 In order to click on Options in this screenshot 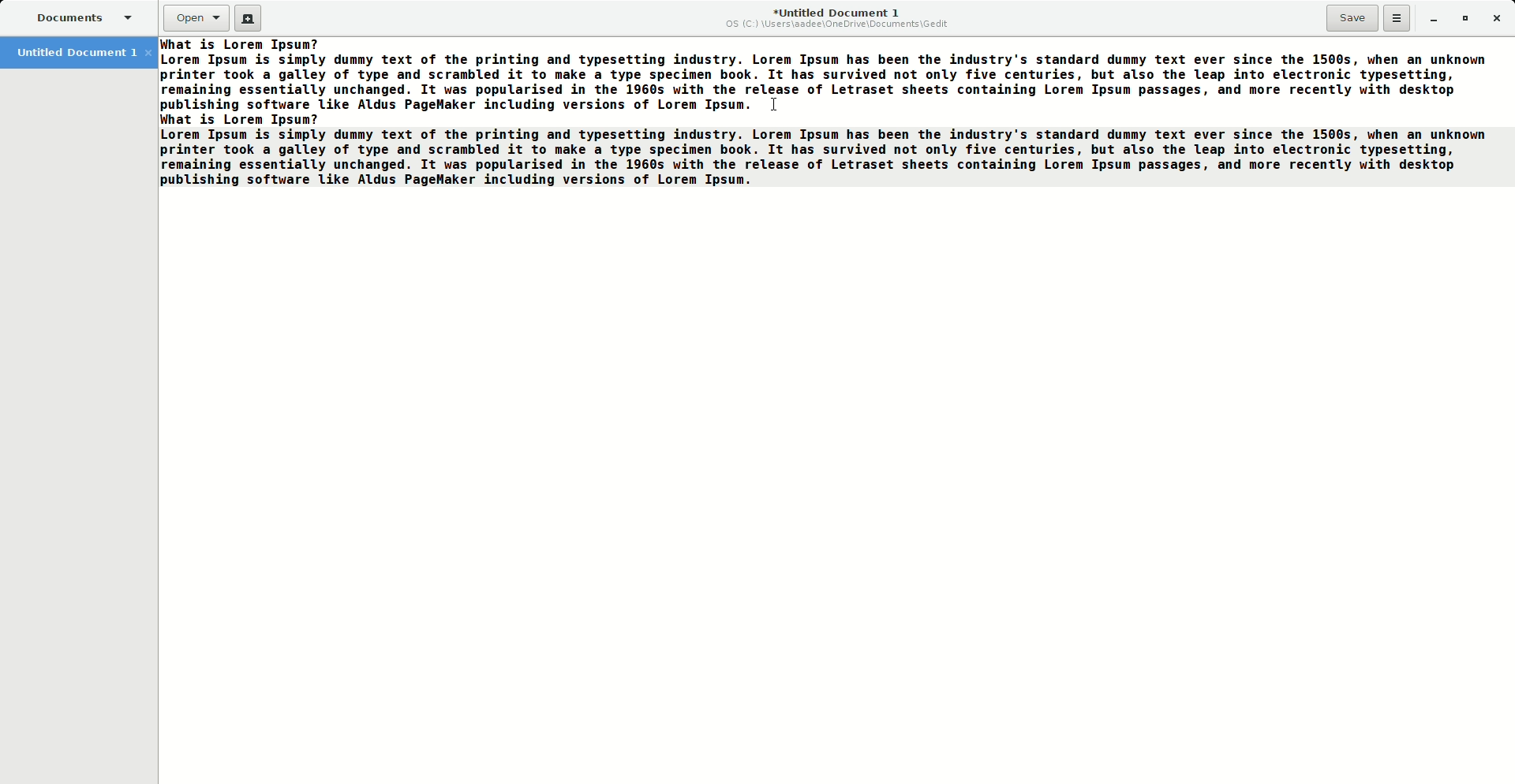, I will do `click(1397, 17)`.